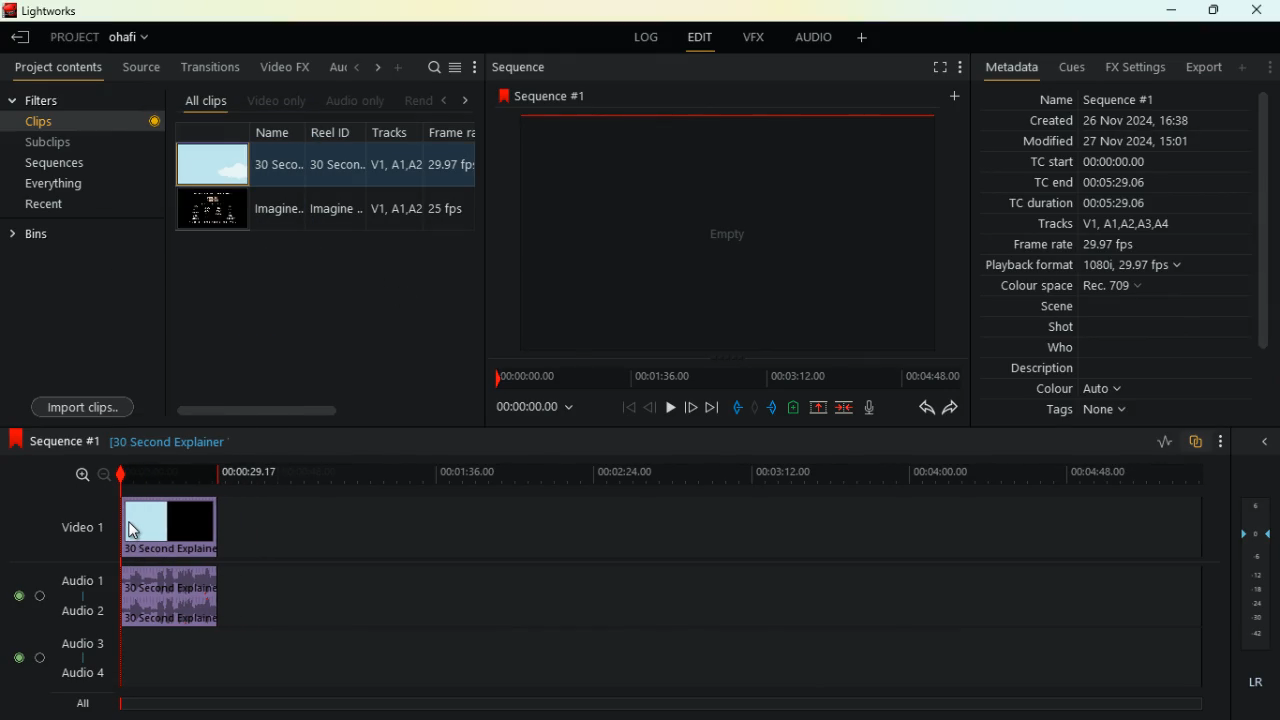 This screenshot has width=1280, height=720. I want to click on clips, so click(82, 120).